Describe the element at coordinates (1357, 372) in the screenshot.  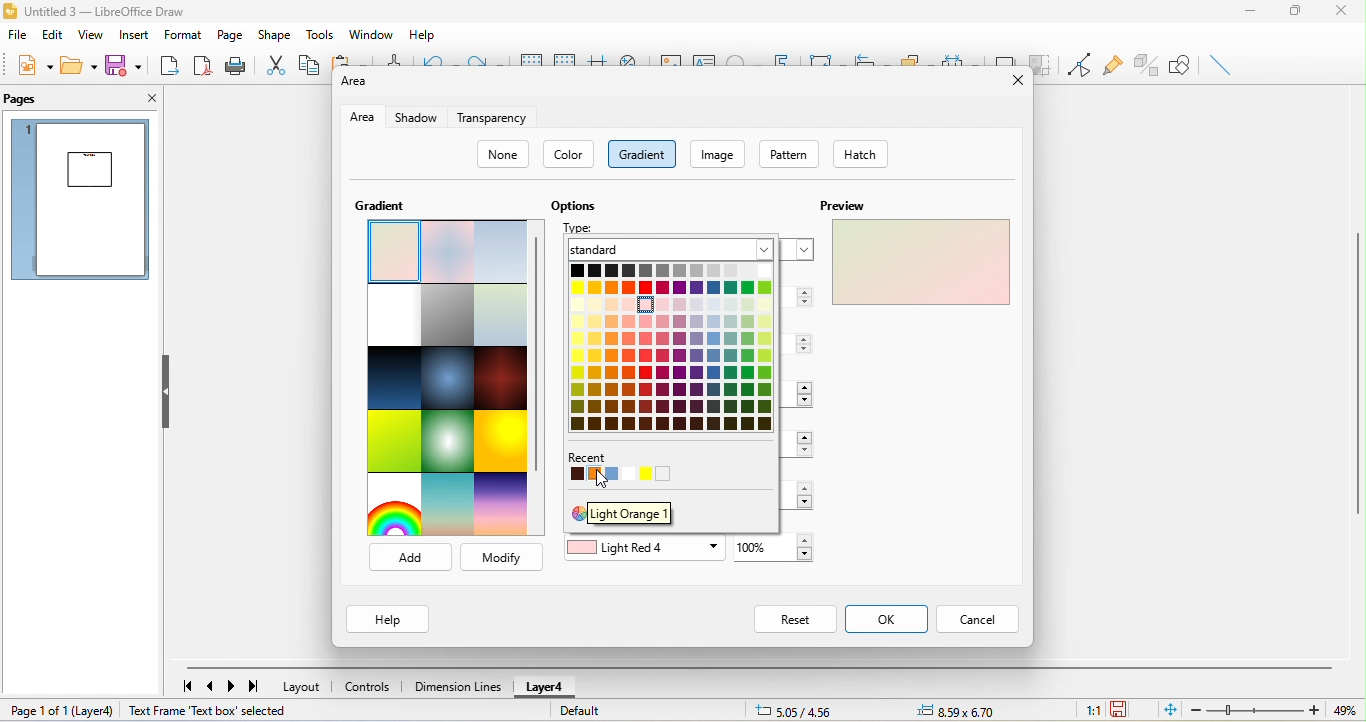
I see `vertical scroll bar` at that location.